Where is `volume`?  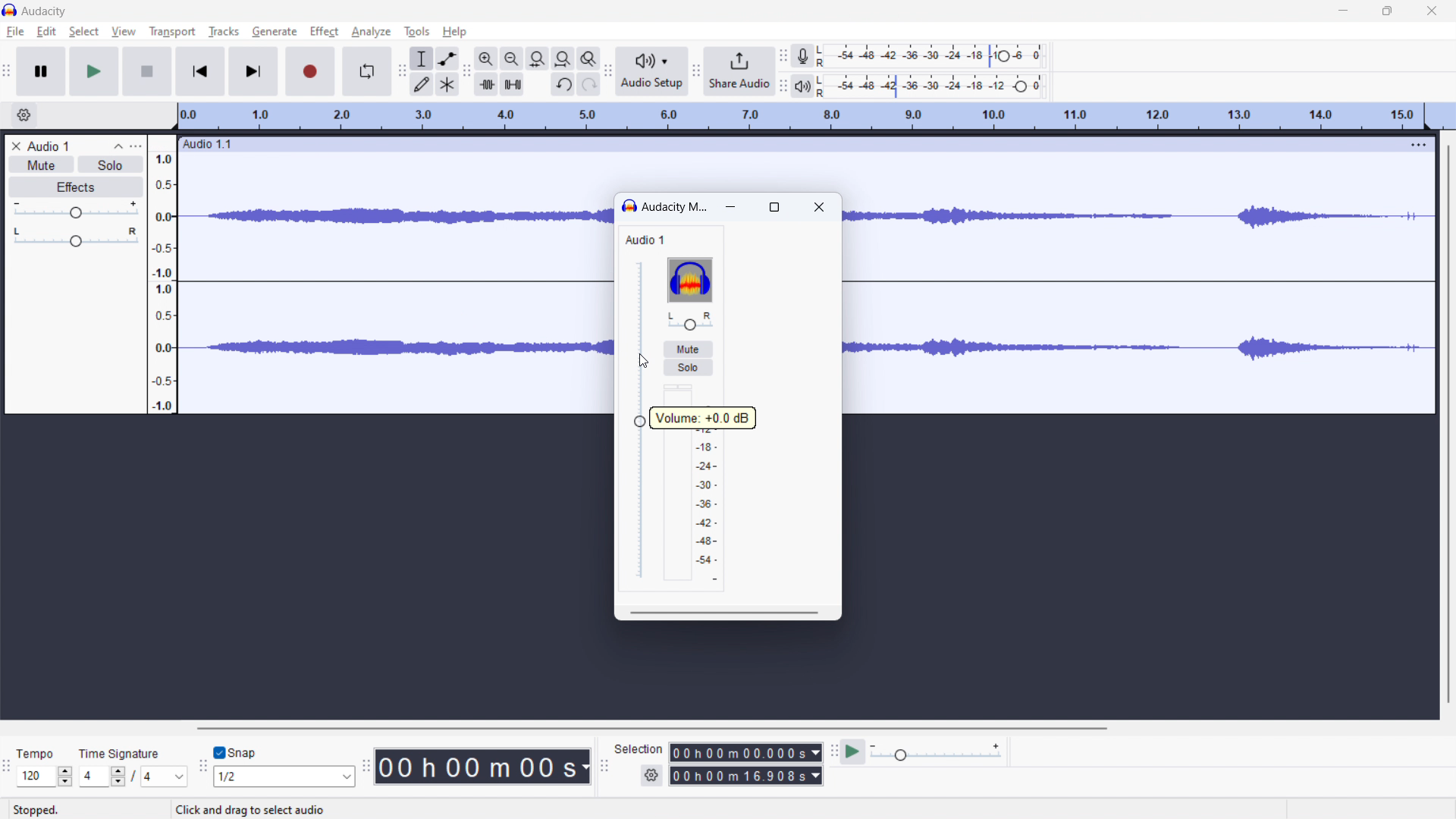 volume is located at coordinates (76, 210).